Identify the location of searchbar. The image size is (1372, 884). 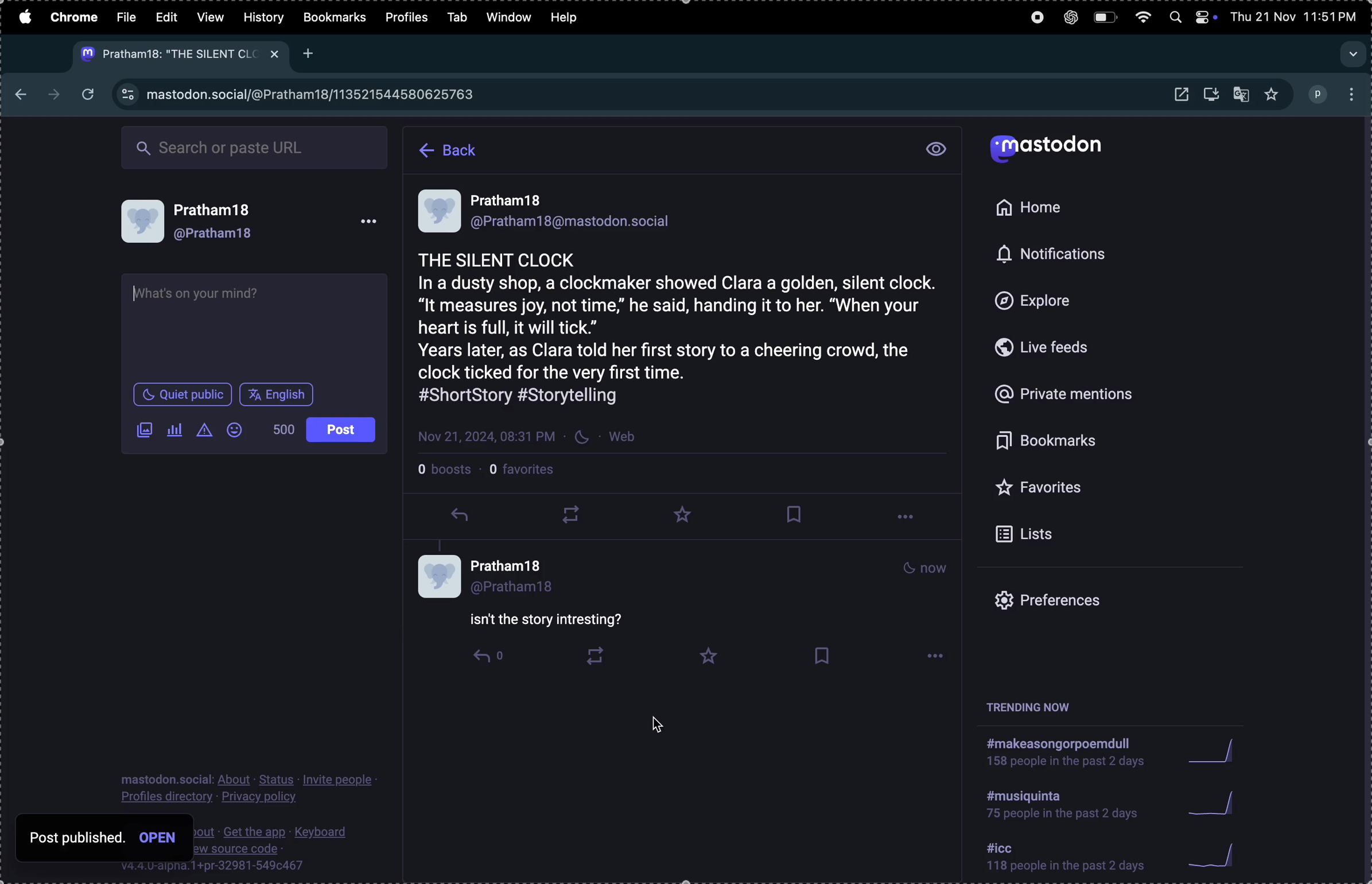
(256, 145).